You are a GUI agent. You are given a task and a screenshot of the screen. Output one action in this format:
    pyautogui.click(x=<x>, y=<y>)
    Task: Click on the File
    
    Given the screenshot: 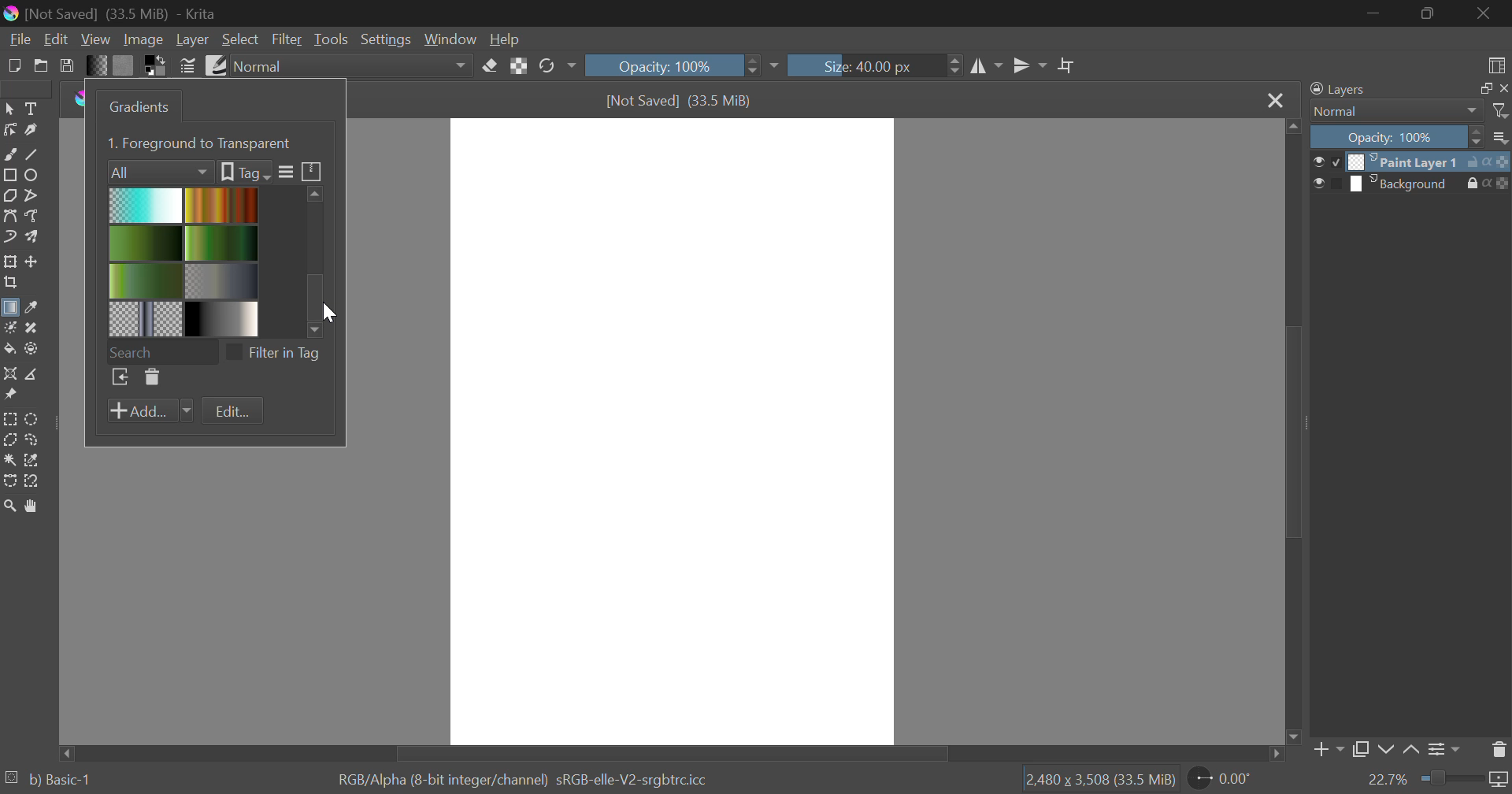 What is the action you would take?
    pyautogui.click(x=18, y=38)
    